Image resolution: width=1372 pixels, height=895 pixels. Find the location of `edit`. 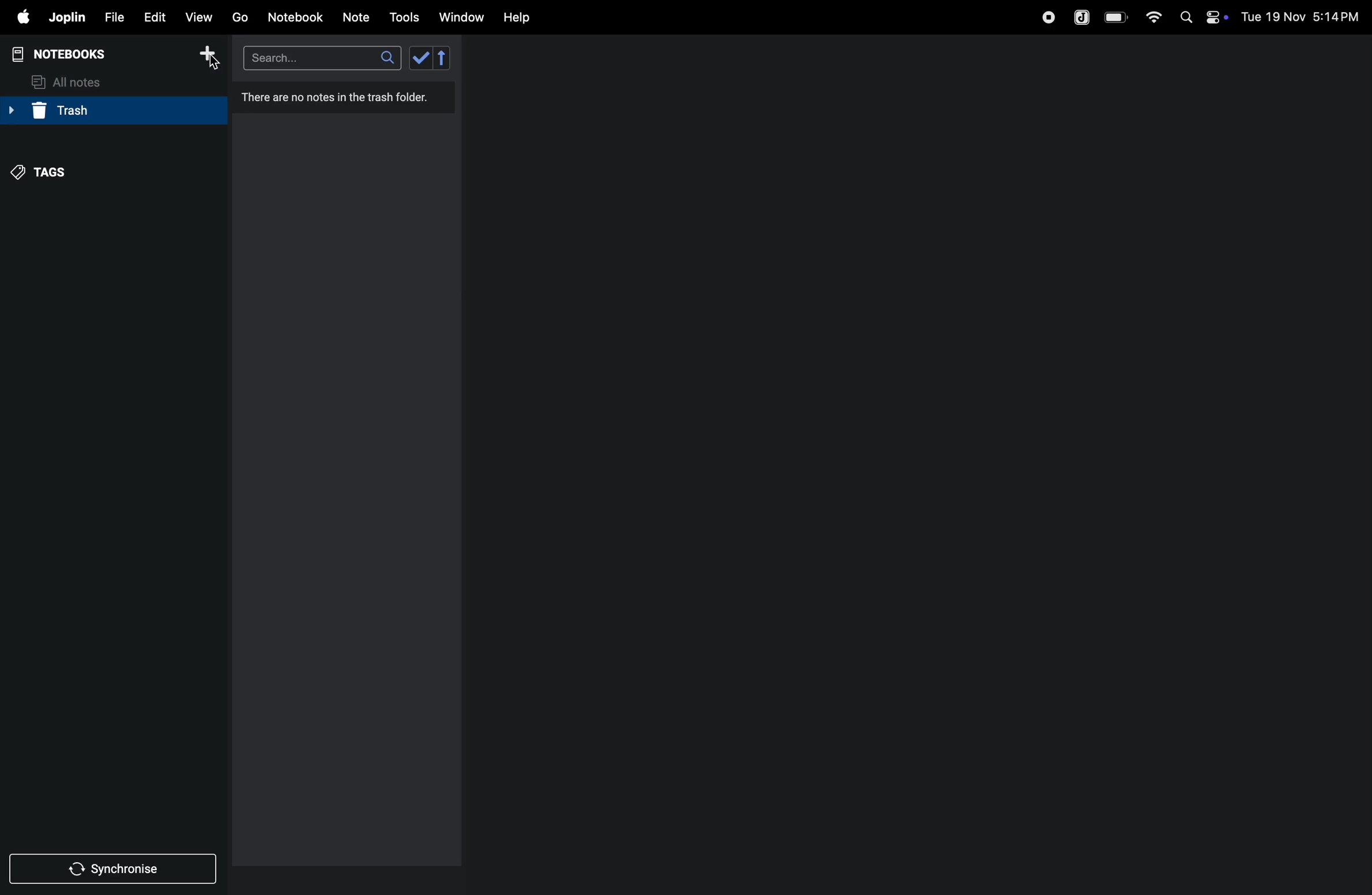

edit is located at coordinates (149, 14).